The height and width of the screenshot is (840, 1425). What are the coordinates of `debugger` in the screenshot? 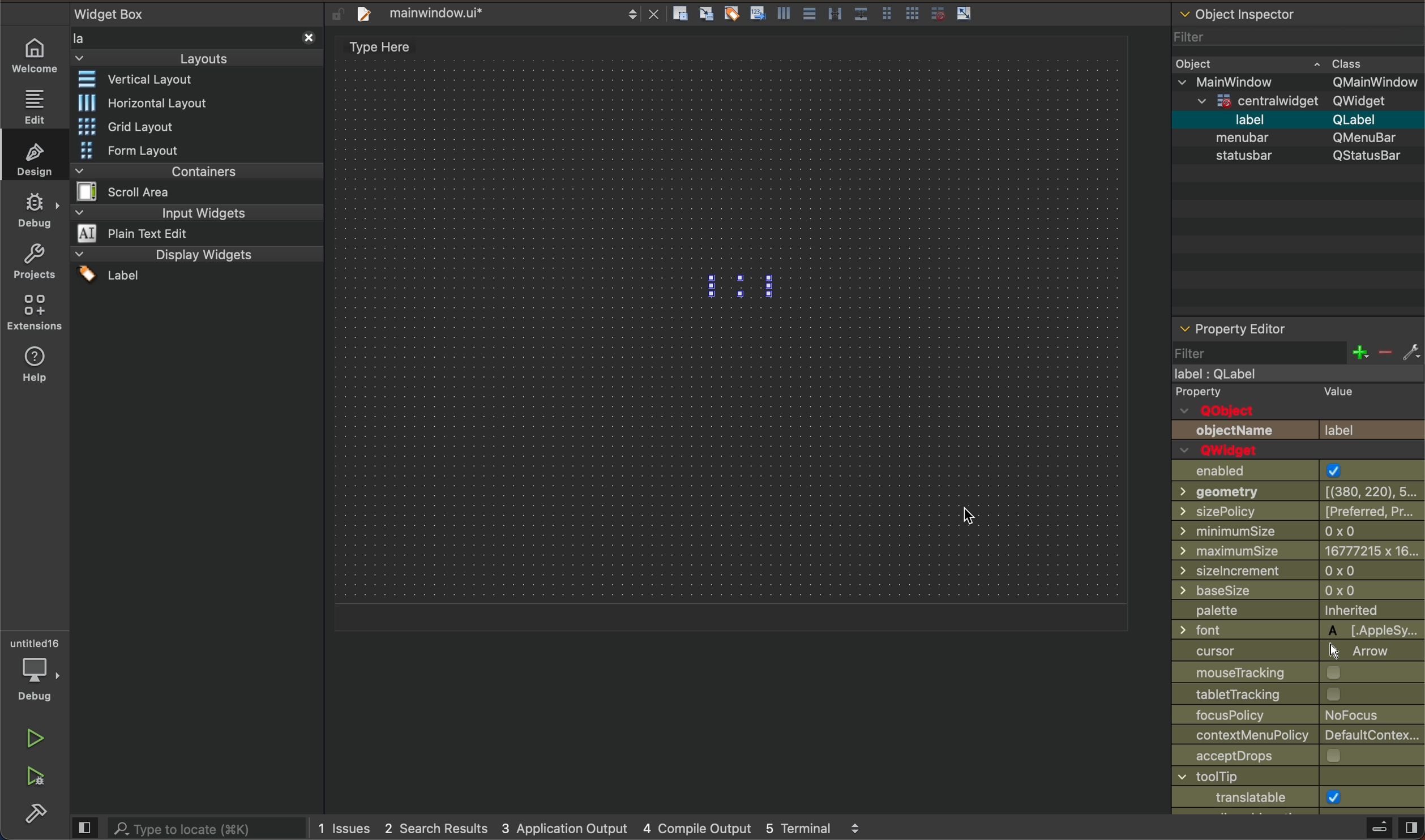 It's located at (38, 668).